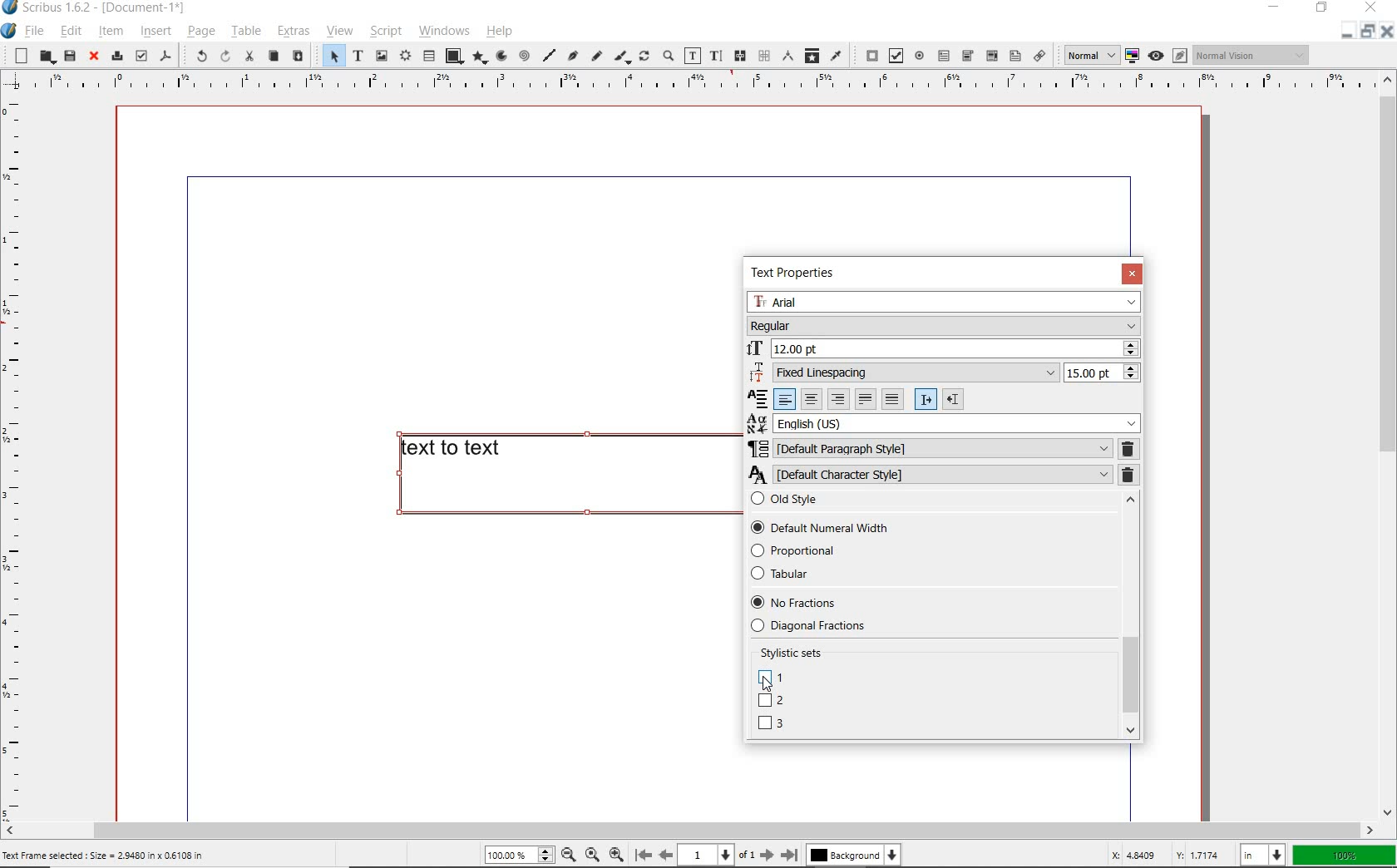 This screenshot has width=1397, height=868. Describe the element at coordinates (1251, 56) in the screenshot. I see `Normal vision` at that location.